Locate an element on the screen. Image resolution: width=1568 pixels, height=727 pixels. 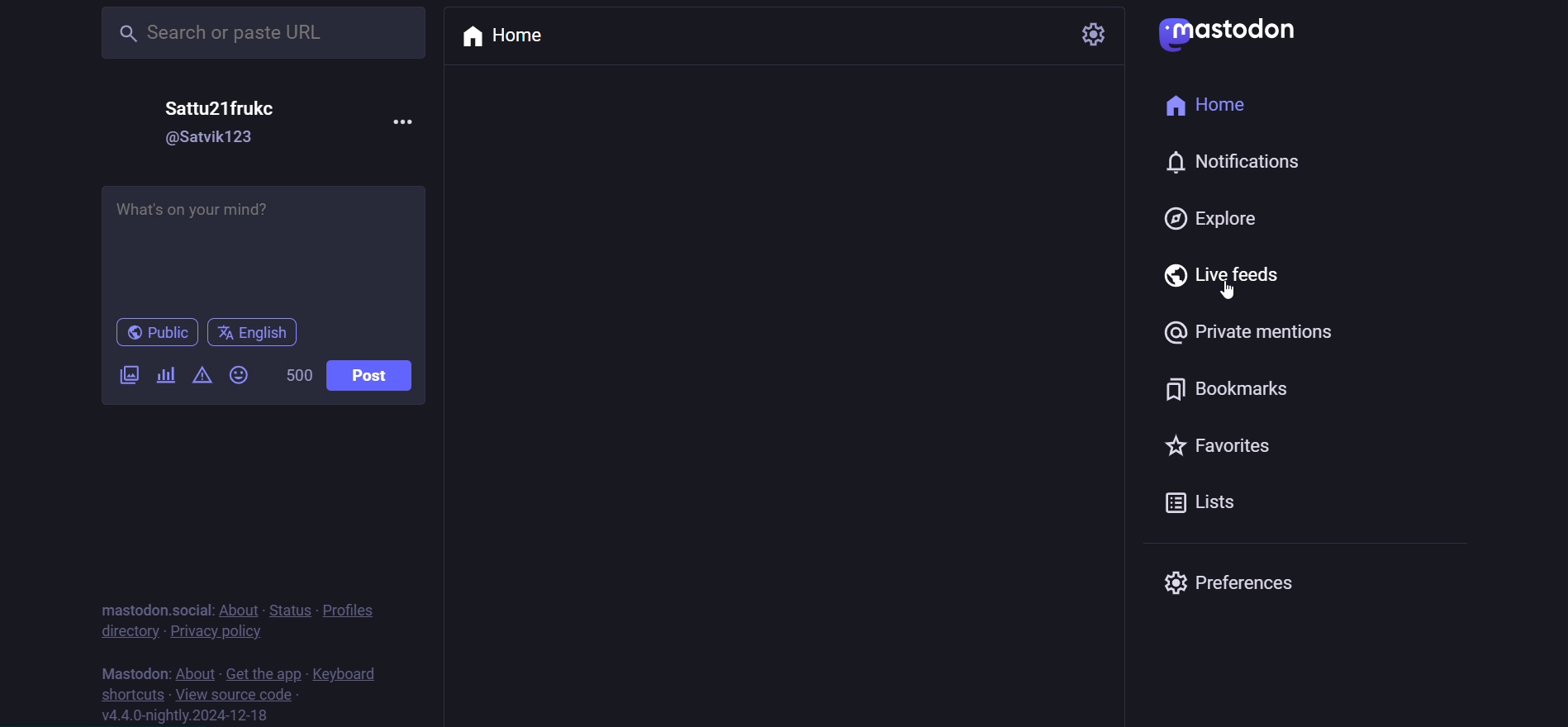
mastodon social is located at coordinates (152, 670).